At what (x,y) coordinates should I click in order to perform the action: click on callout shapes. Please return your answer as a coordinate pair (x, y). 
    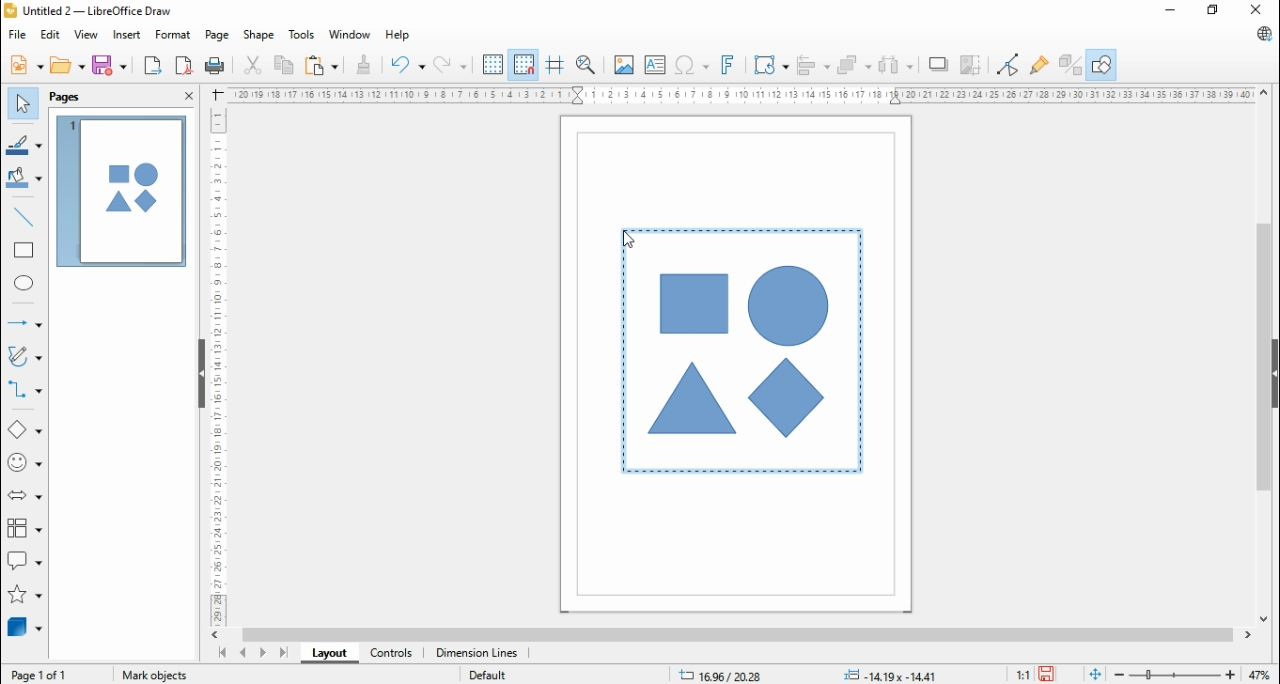
    Looking at the image, I should click on (25, 560).